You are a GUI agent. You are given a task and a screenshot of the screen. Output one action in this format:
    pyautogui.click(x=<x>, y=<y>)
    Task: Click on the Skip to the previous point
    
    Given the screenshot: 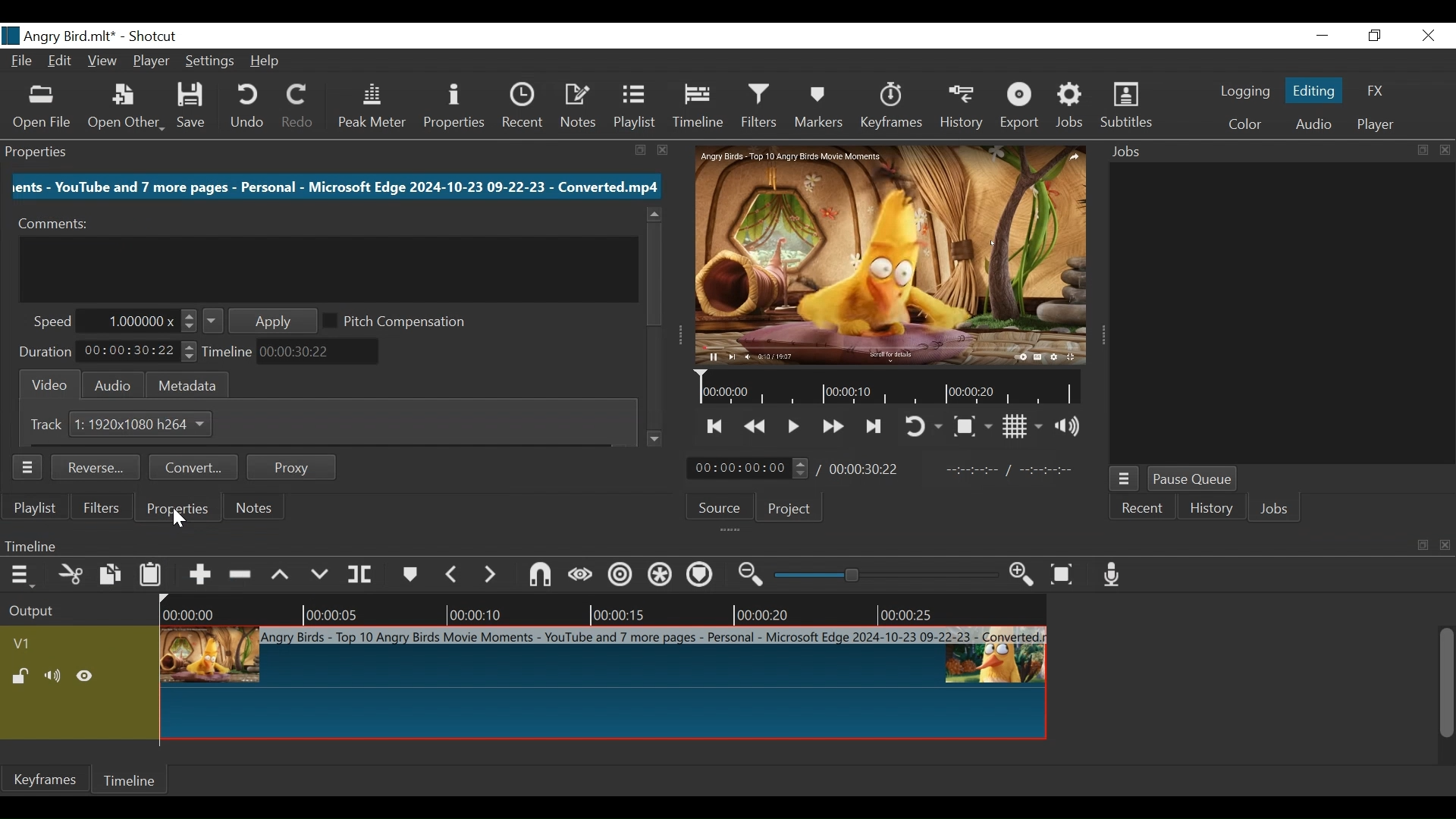 What is the action you would take?
    pyautogui.click(x=713, y=427)
    